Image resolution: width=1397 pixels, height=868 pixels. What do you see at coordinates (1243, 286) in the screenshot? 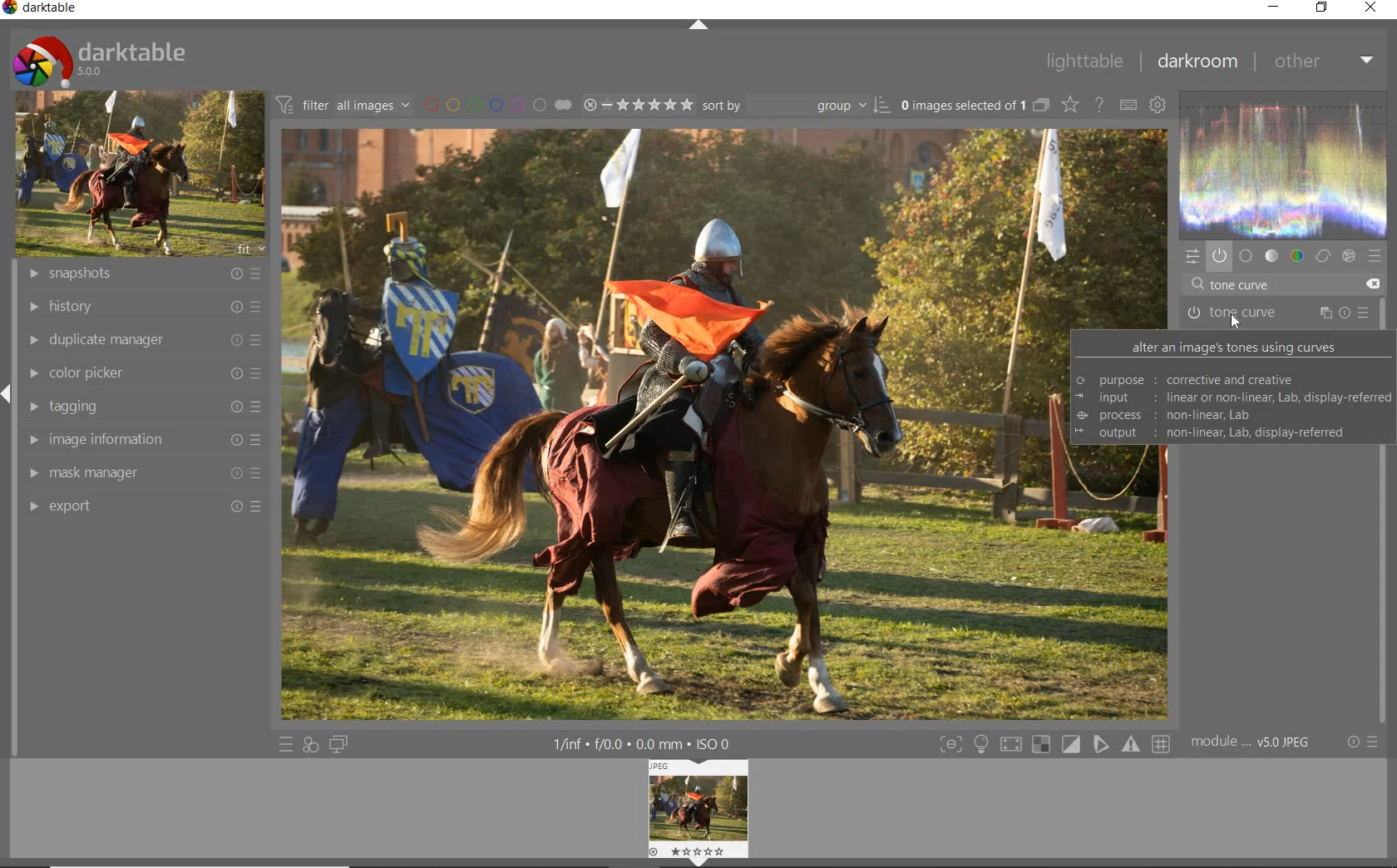
I see `input value` at bounding box center [1243, 286].